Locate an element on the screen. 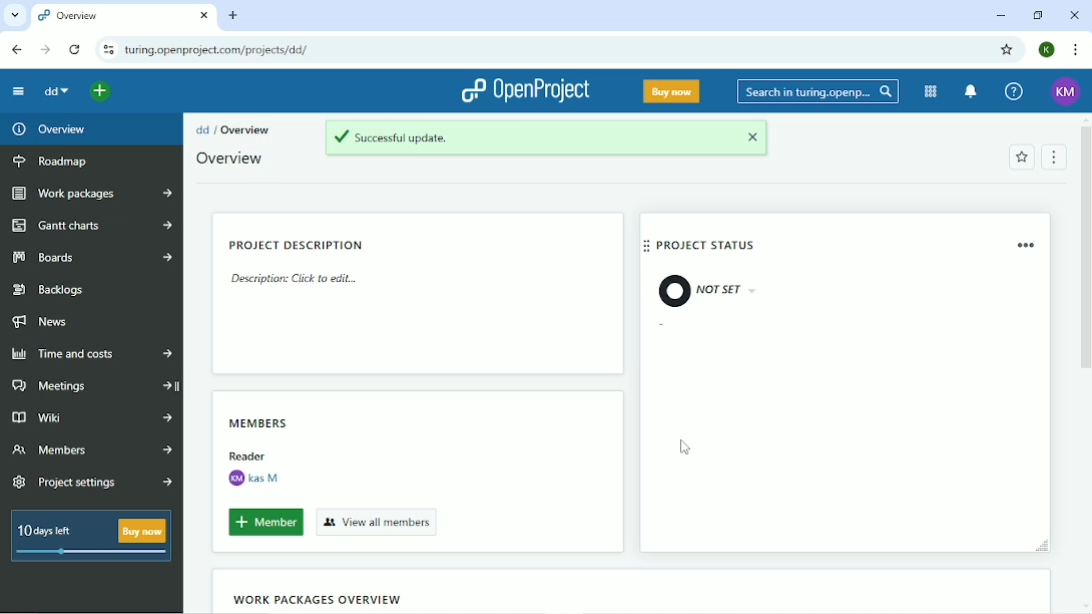 The width and height of the screenshot is (1092, 614). Account is located at coordinates (1064, 92).